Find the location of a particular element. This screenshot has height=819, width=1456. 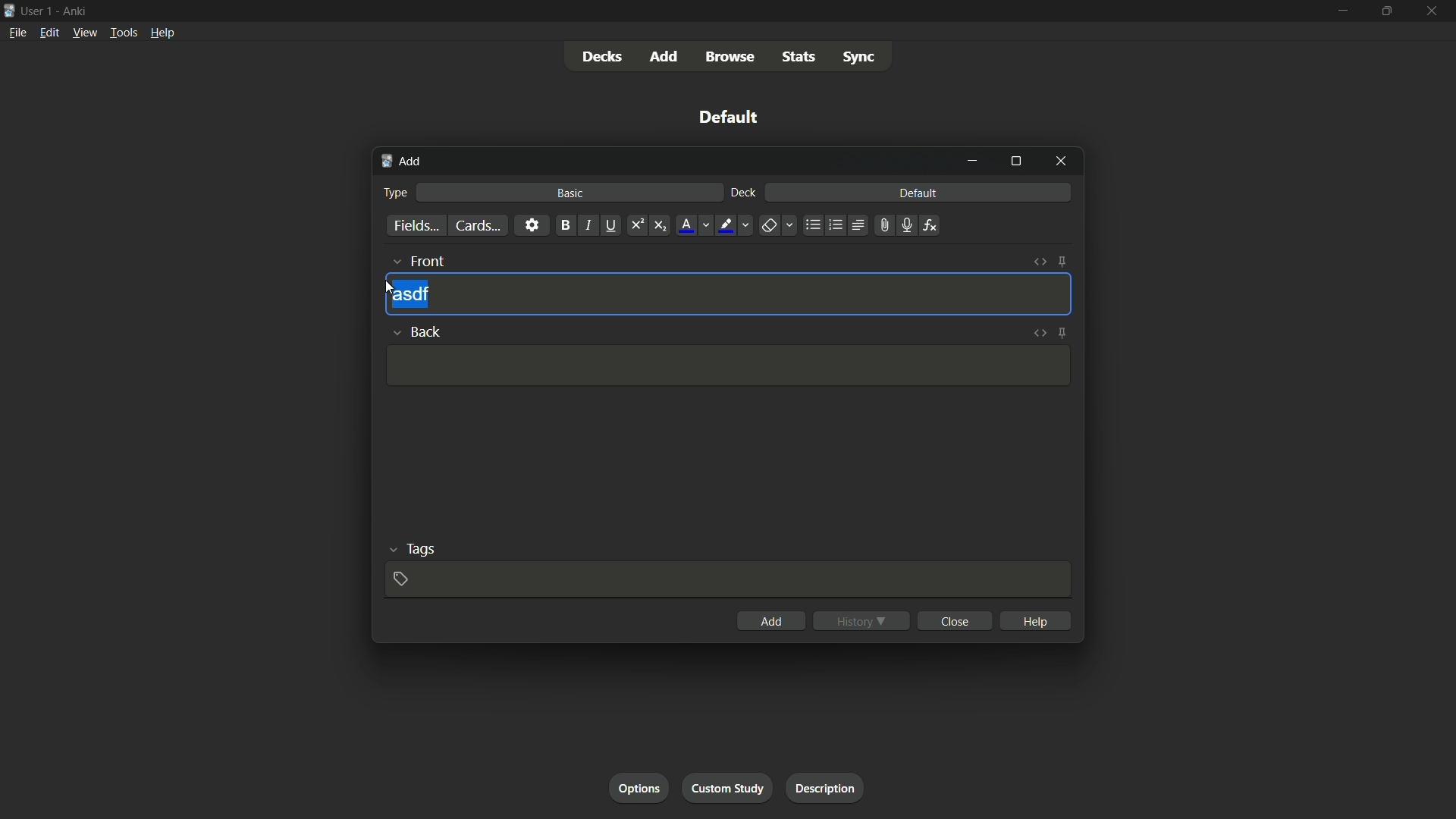

Input Template is located at coordinates (725, 366).